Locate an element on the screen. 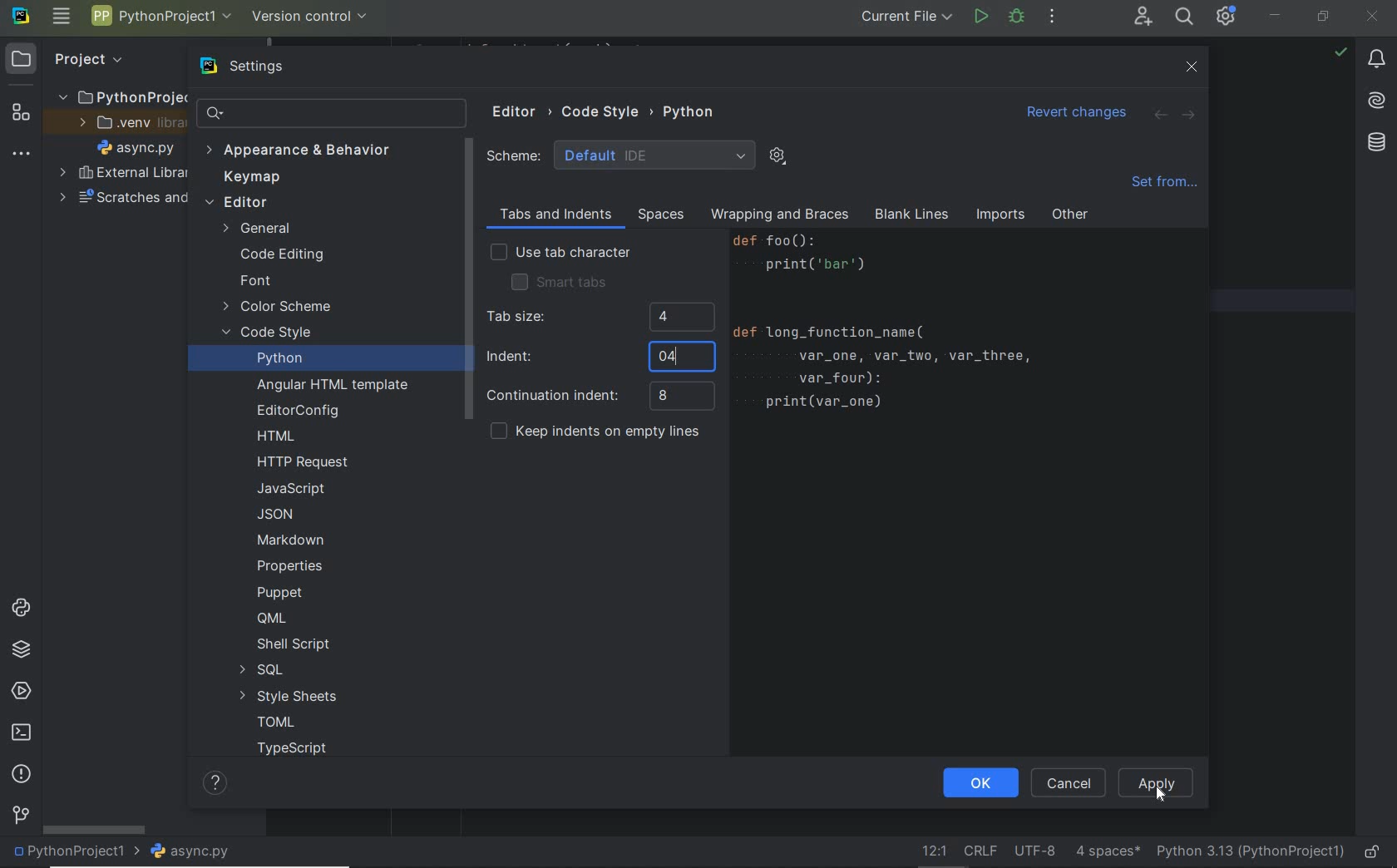  set from is located at coordinates (1163, 186).